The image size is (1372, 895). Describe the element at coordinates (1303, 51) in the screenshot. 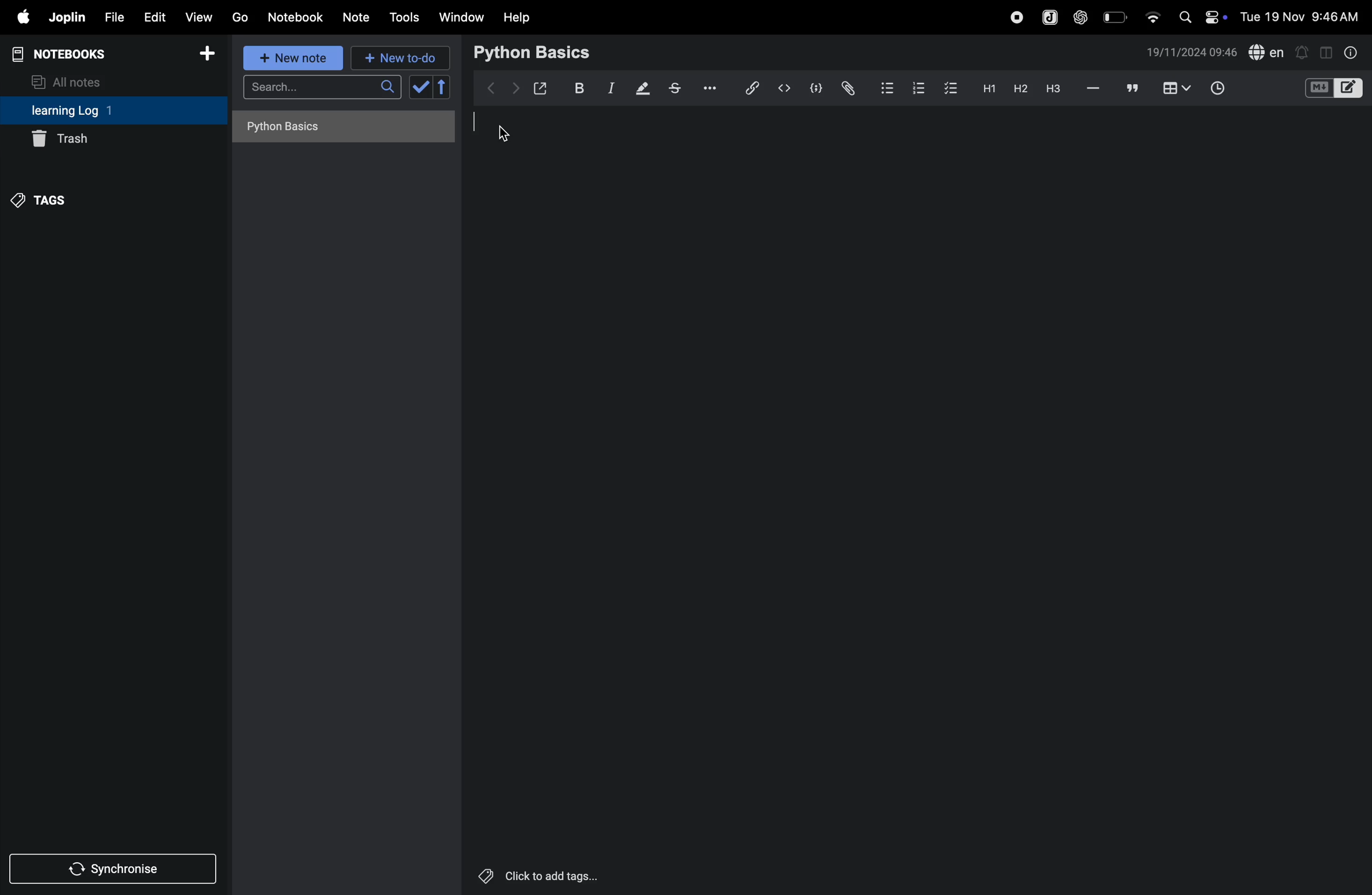

I see `alert` at that location.